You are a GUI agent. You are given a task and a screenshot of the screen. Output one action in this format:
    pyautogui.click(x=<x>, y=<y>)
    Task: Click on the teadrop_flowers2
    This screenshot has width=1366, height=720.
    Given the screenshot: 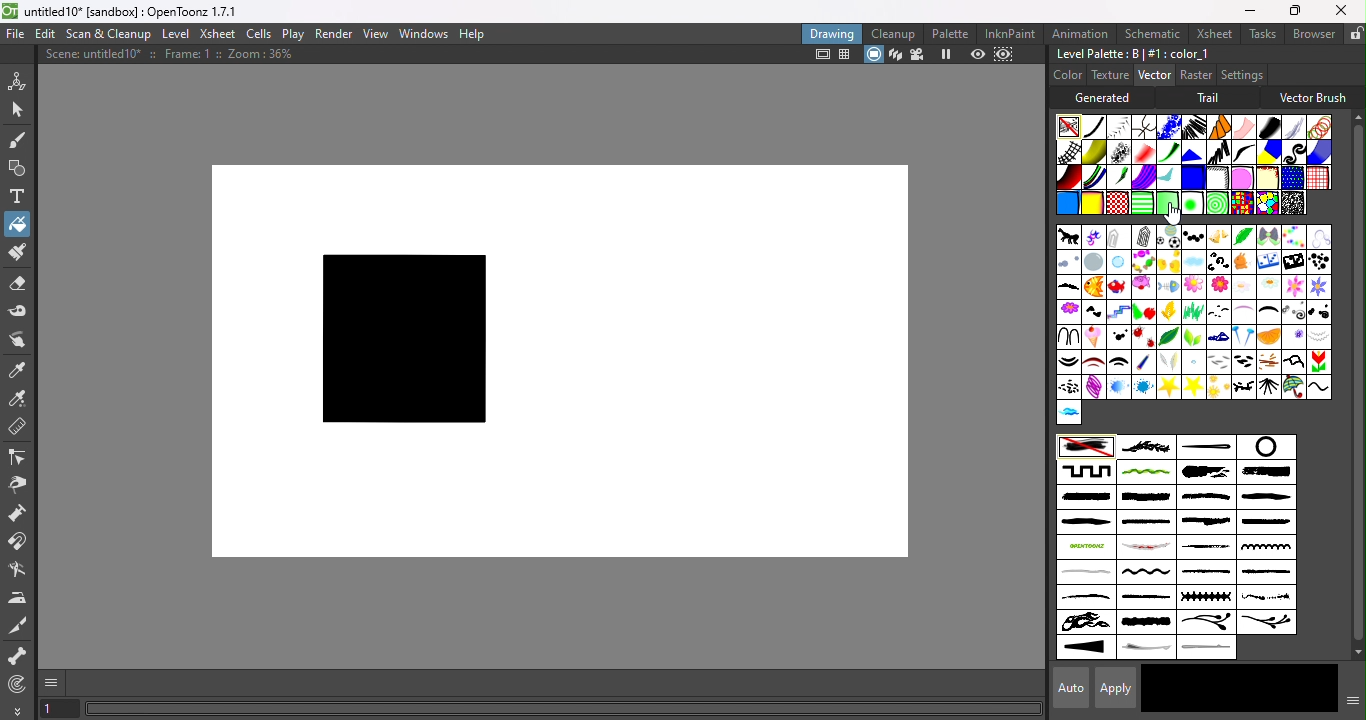 What is the action you would take?
    pyautogui.click(x=1265, y=622)
    